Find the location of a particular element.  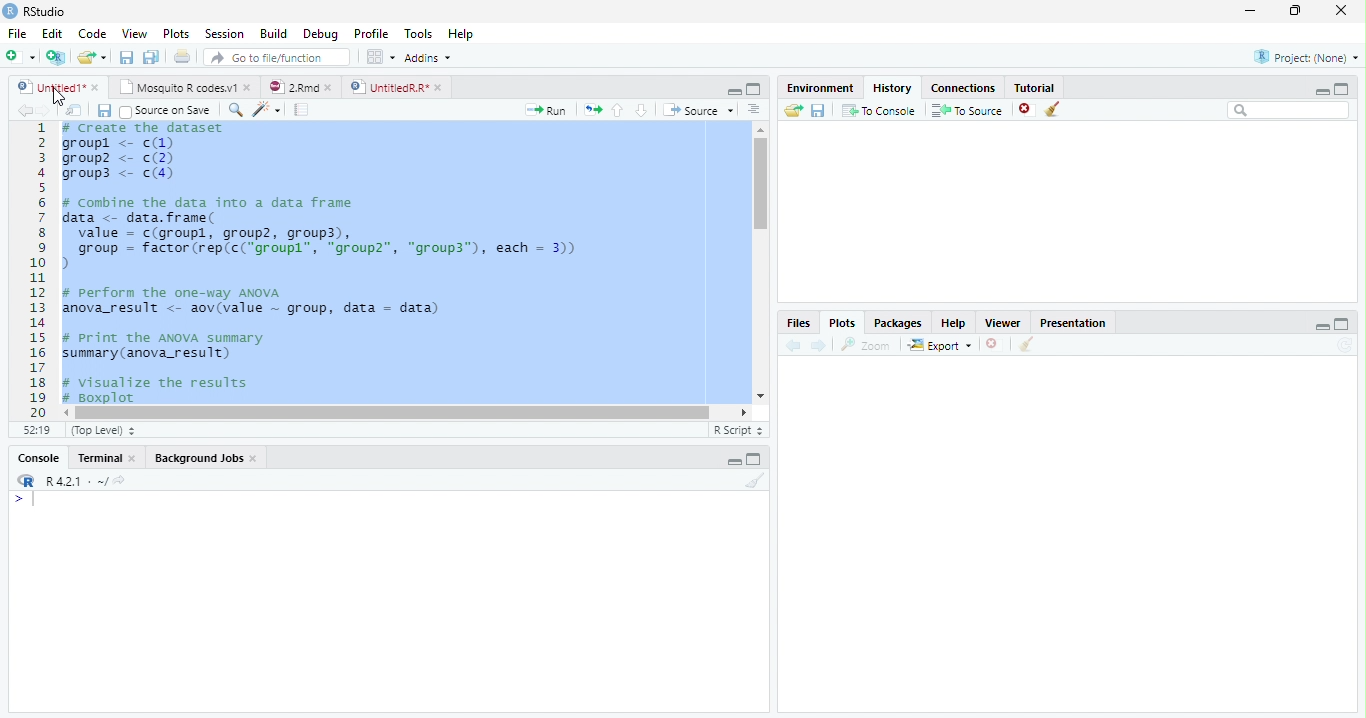

Save workspace as  is located at coordinates (821, 111).